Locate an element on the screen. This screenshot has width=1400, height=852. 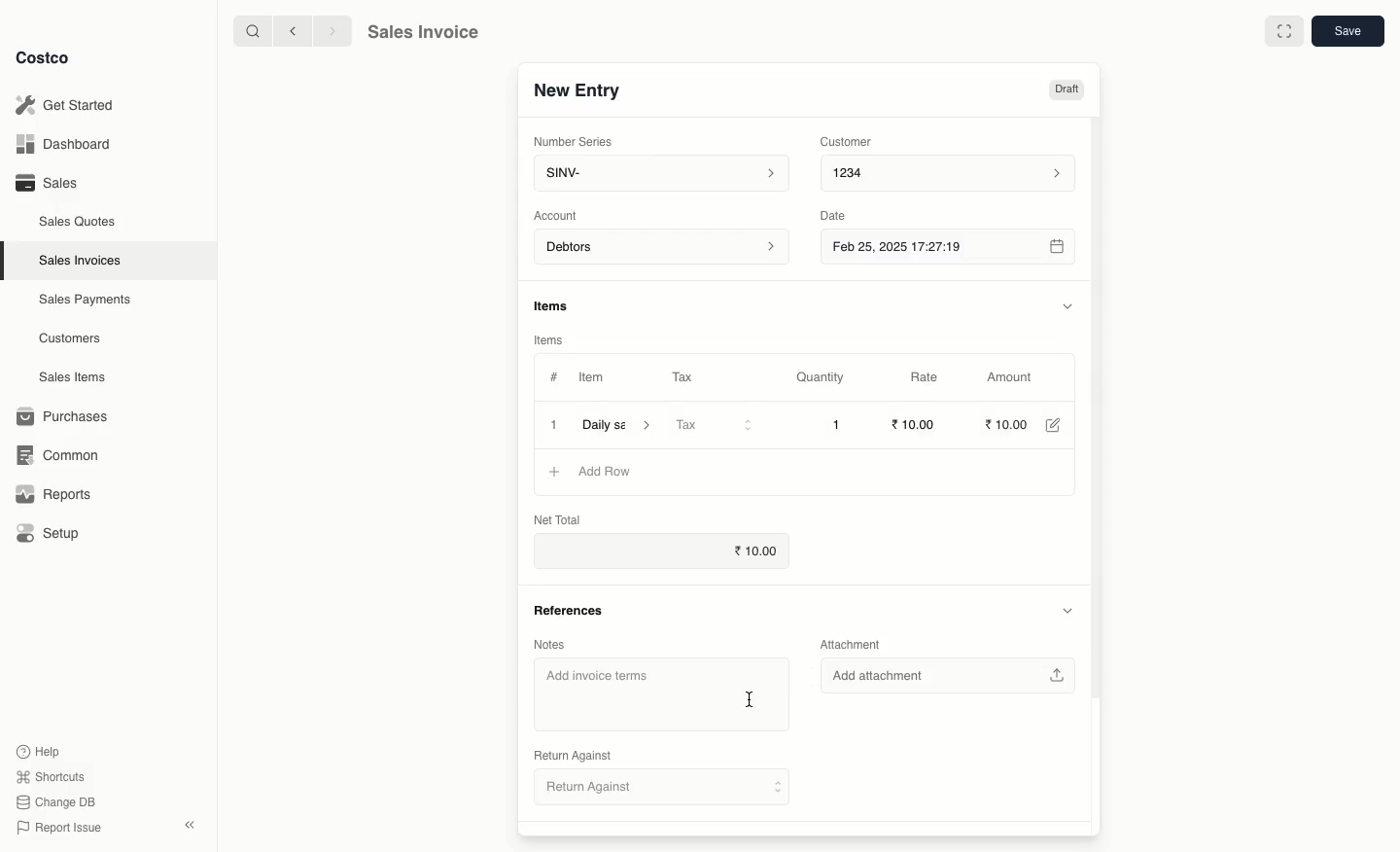
Retum Against  is located at coordinates (663, 790).